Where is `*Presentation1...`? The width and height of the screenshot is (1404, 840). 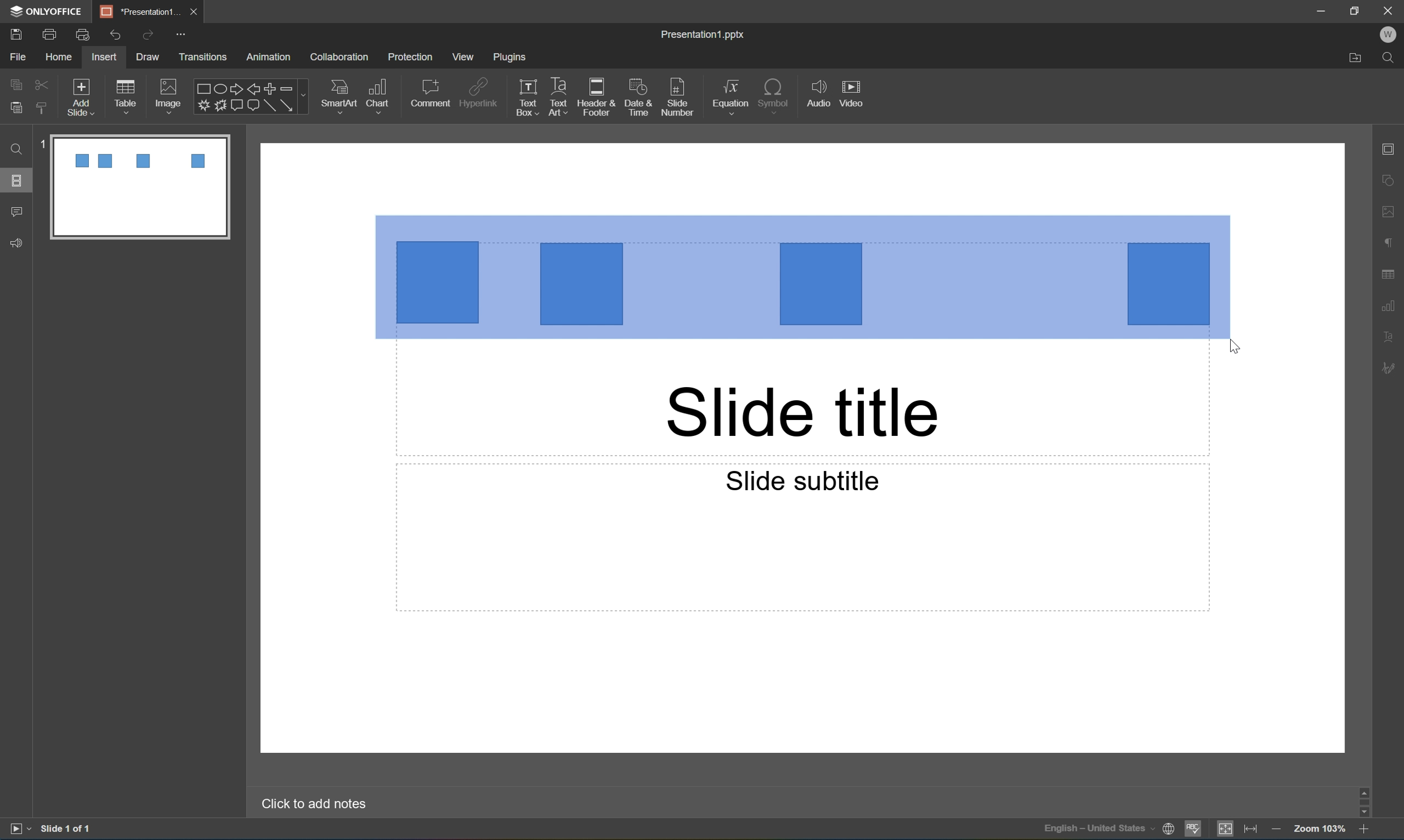
*Presentation1... is located at coordinates (142, 10).